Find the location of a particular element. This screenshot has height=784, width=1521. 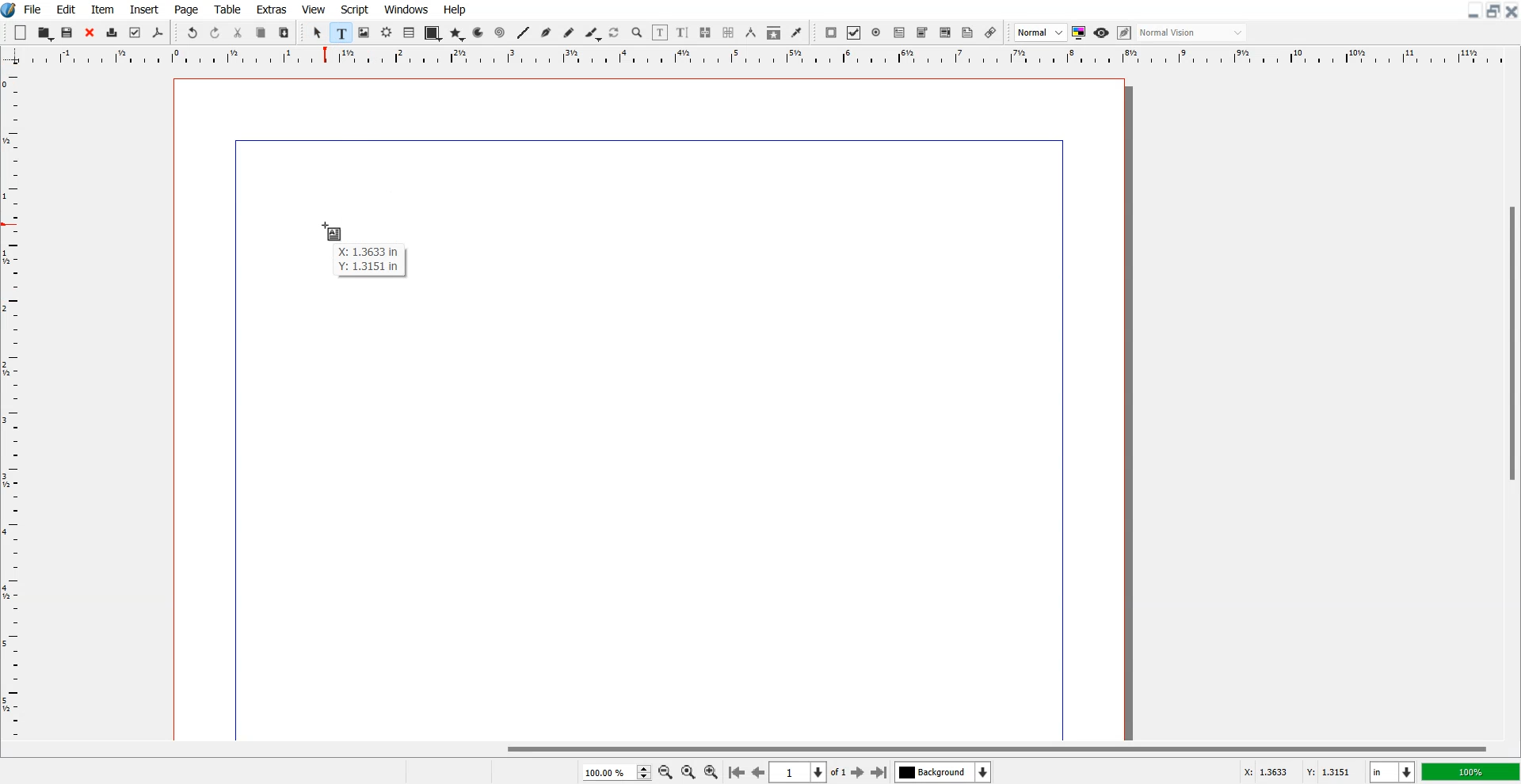

Copy item properties is located at coordinates (774, 33).